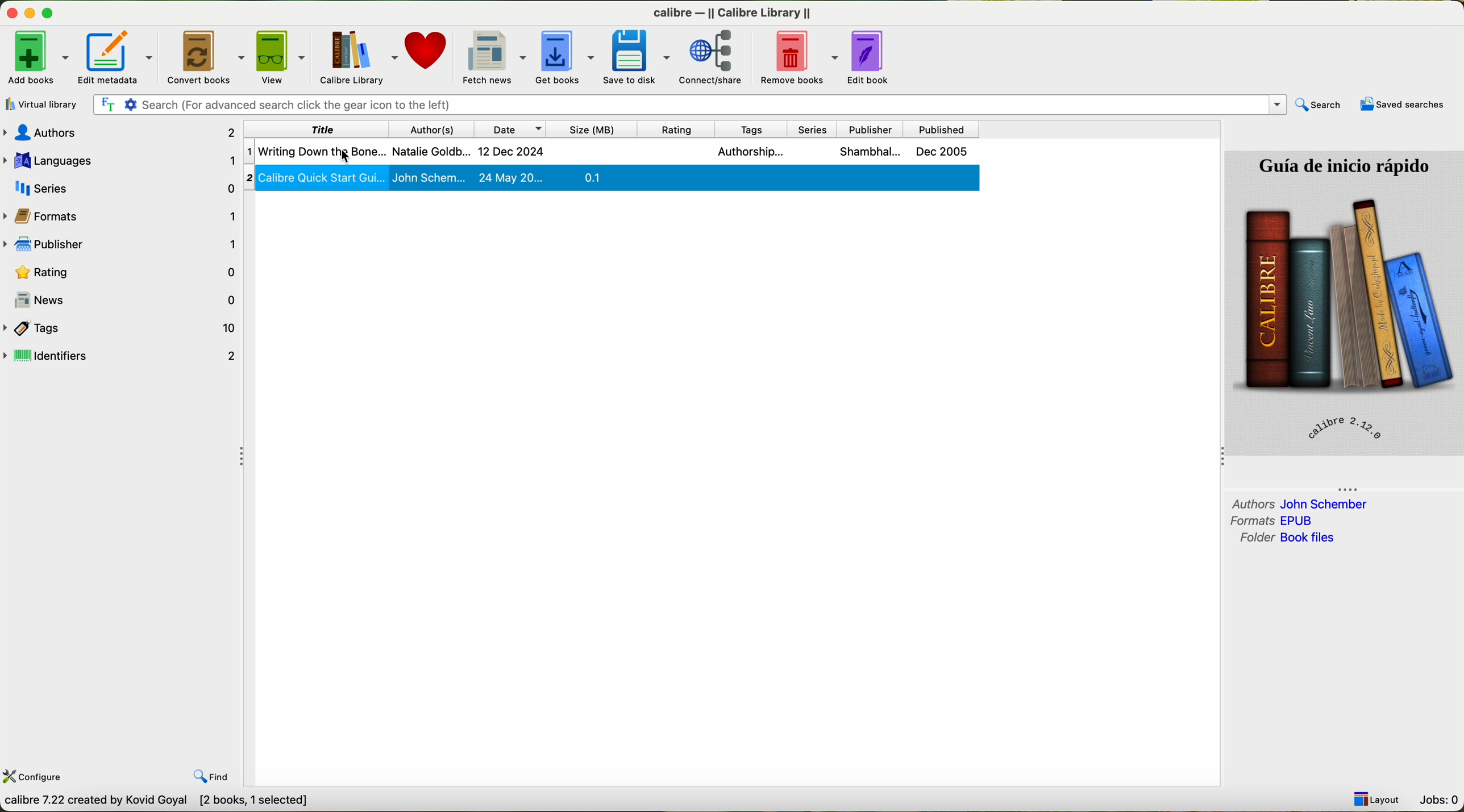 The image size is (1464, 812). Describe the element at coordinates (494, 56) in the screenshot. I see `fetch news` at that location.